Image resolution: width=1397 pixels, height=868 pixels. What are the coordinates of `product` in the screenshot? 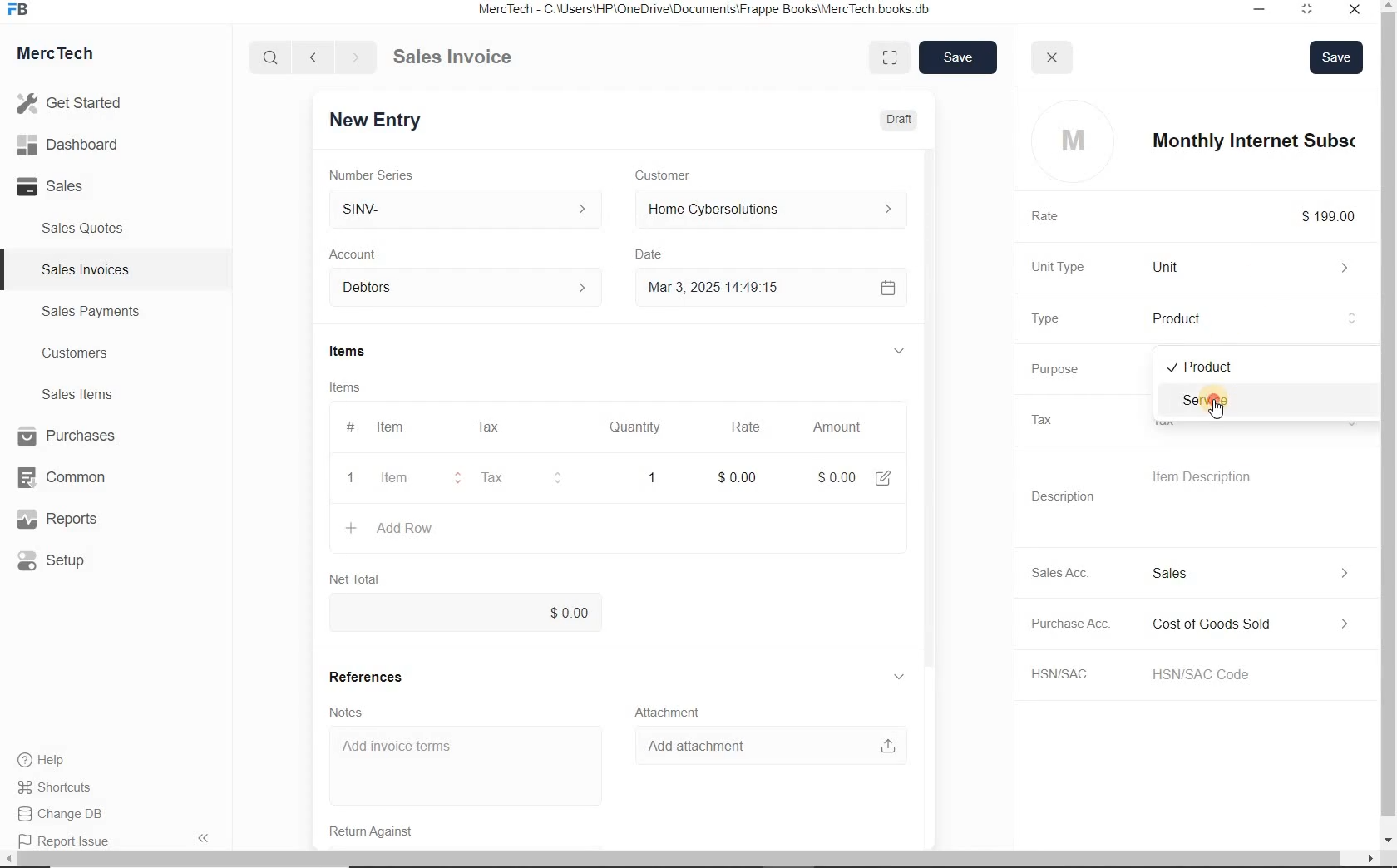 It's located at (1267, 367).